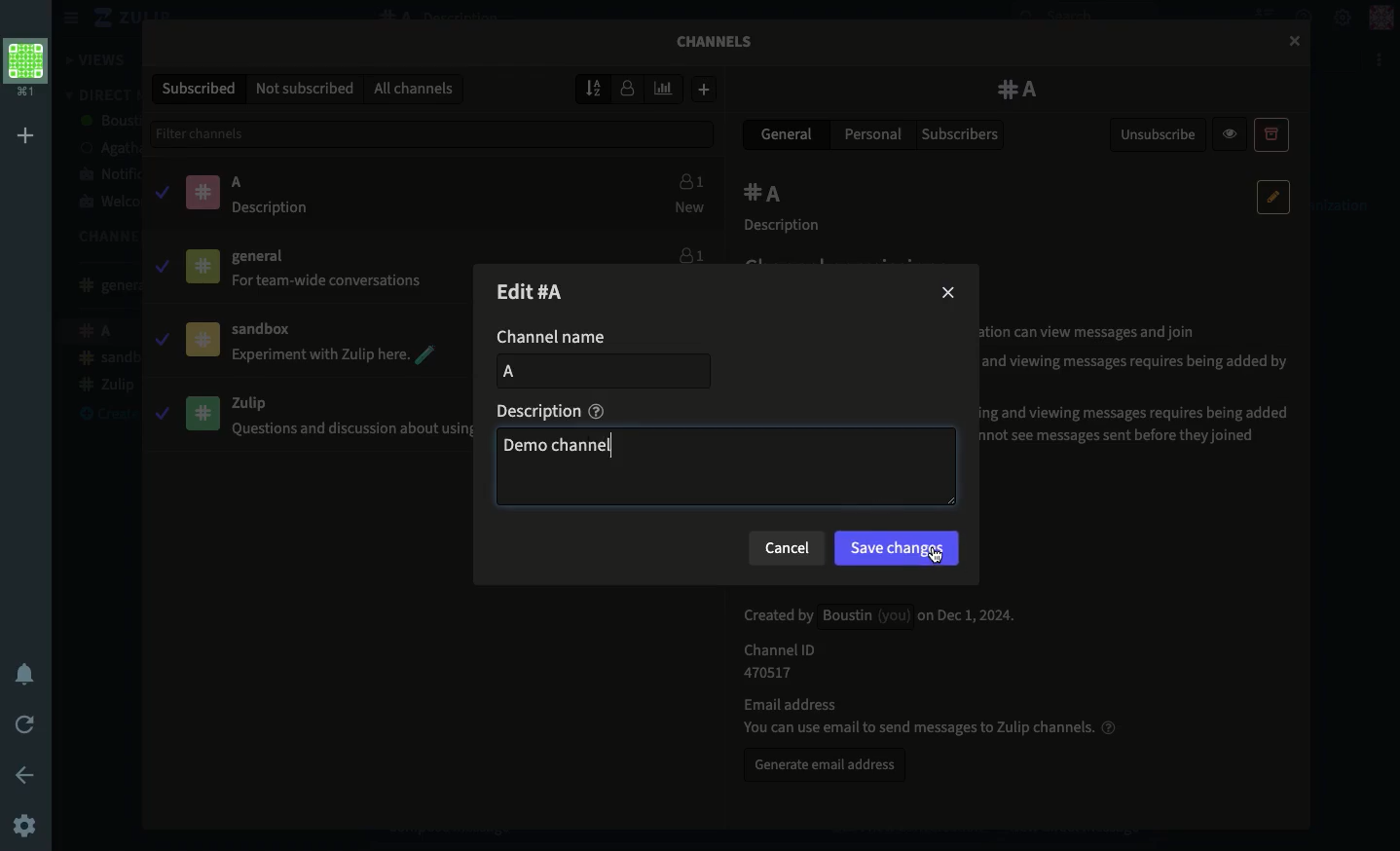 The image size is (1400, 851). Describe the element at coordinates (25, 726) in the screenshot. I see `Refresh` at that location.